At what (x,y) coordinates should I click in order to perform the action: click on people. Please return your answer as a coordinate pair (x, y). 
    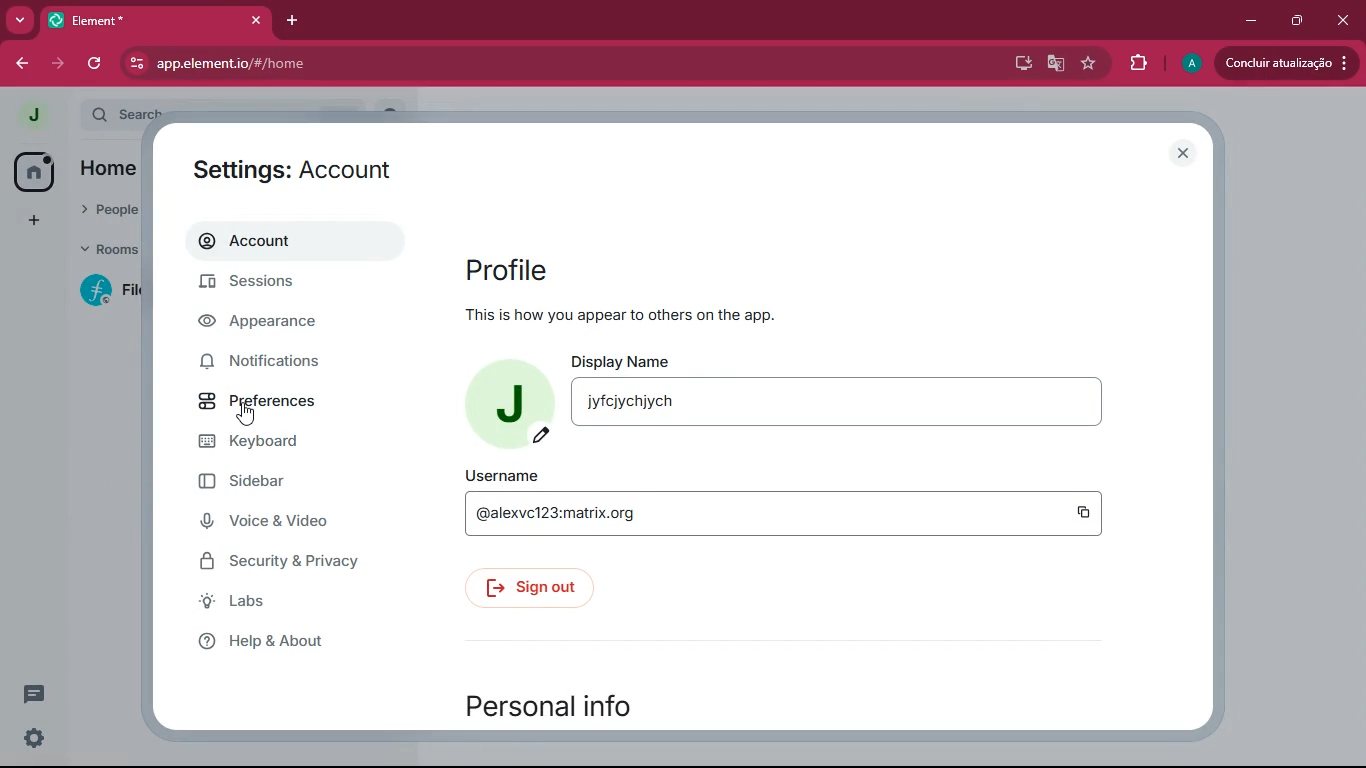
    Looking at the image, I should click on (110, 211).